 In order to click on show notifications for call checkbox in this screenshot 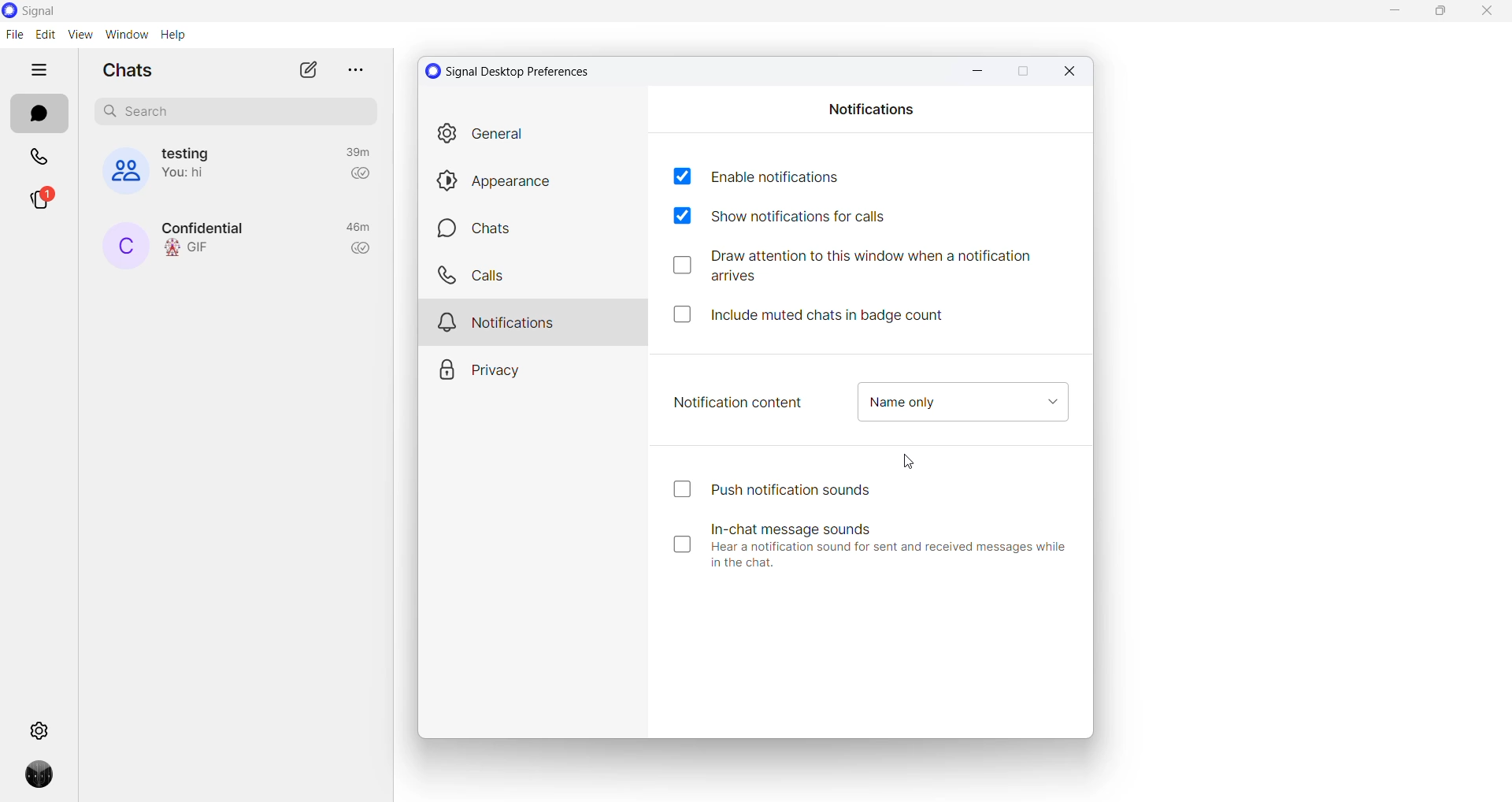, I will do `click(796, 217)`.